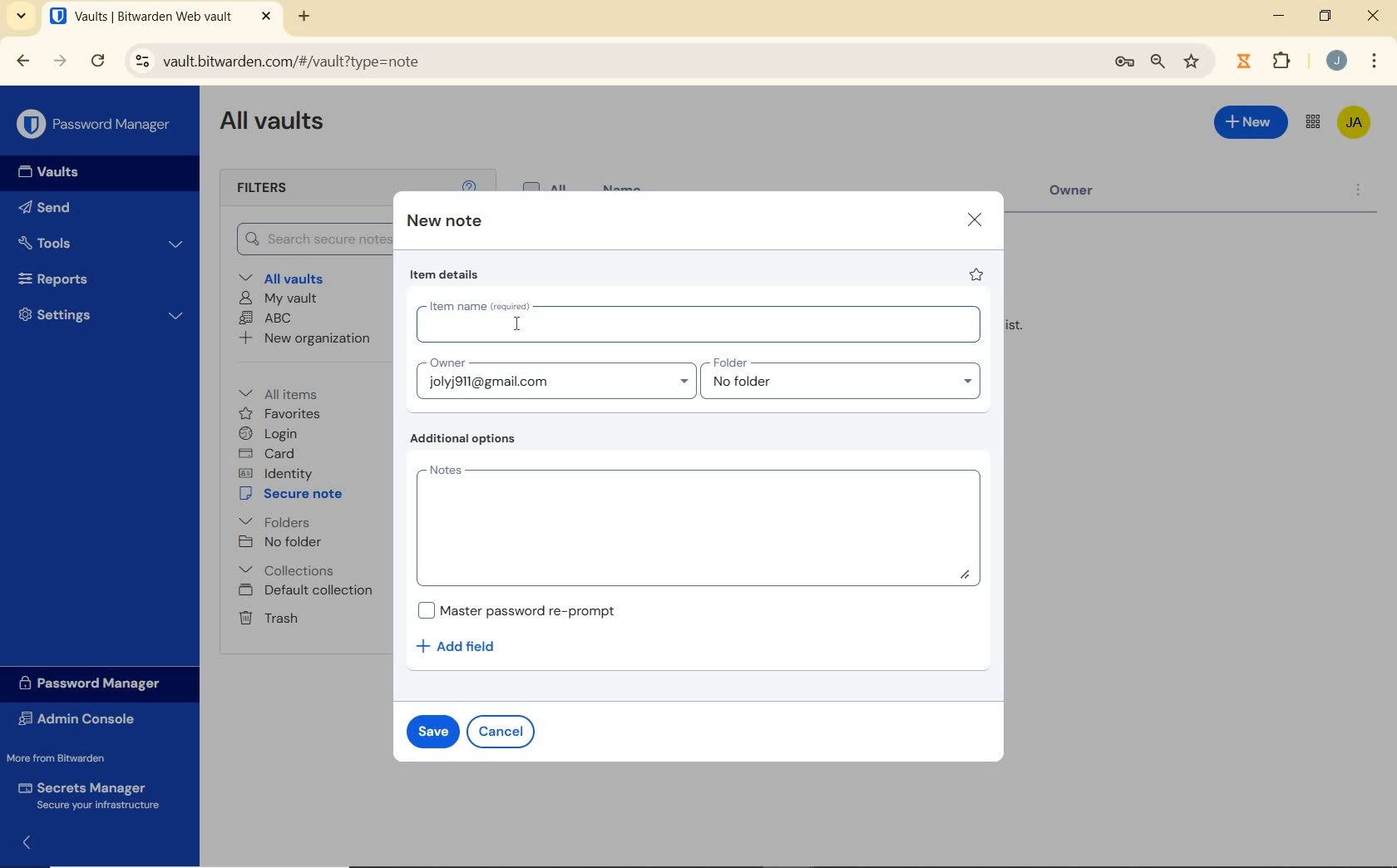  What do you see at coordinates (1251, 126) in the screenshot?
I see `New` at bounding box center [1251, 126].